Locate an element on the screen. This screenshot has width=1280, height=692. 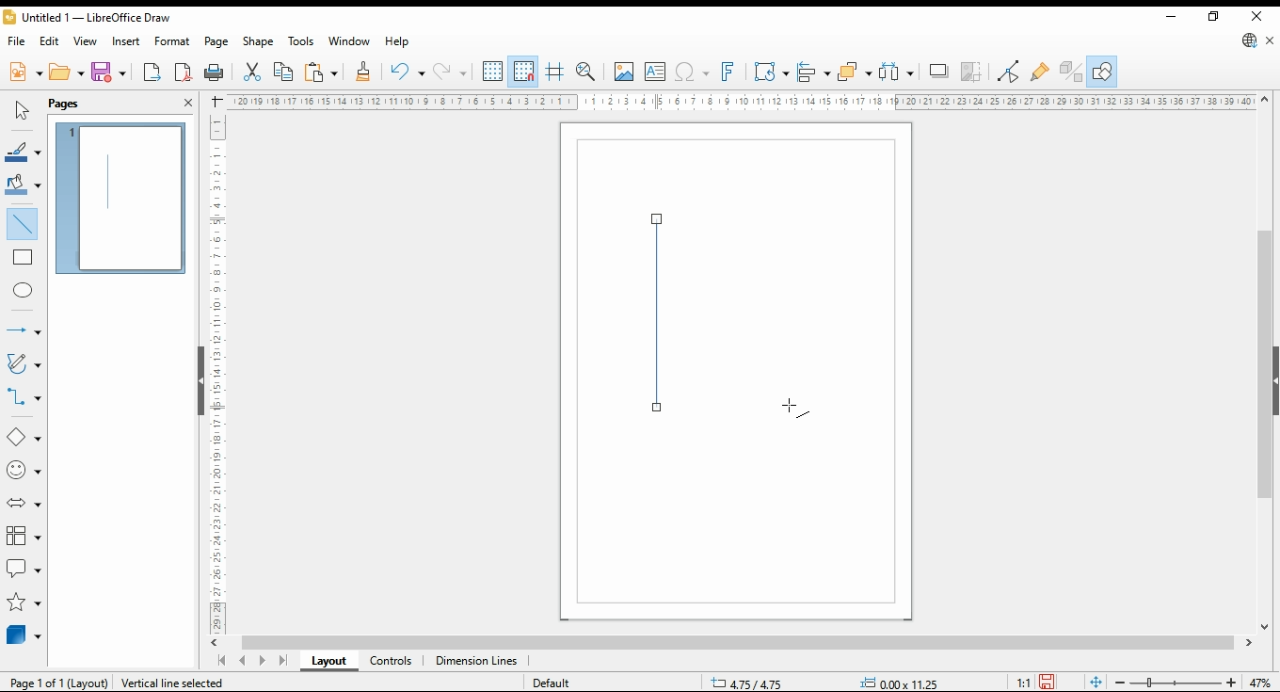
pan and zoom is located at coordinates (588, 71).